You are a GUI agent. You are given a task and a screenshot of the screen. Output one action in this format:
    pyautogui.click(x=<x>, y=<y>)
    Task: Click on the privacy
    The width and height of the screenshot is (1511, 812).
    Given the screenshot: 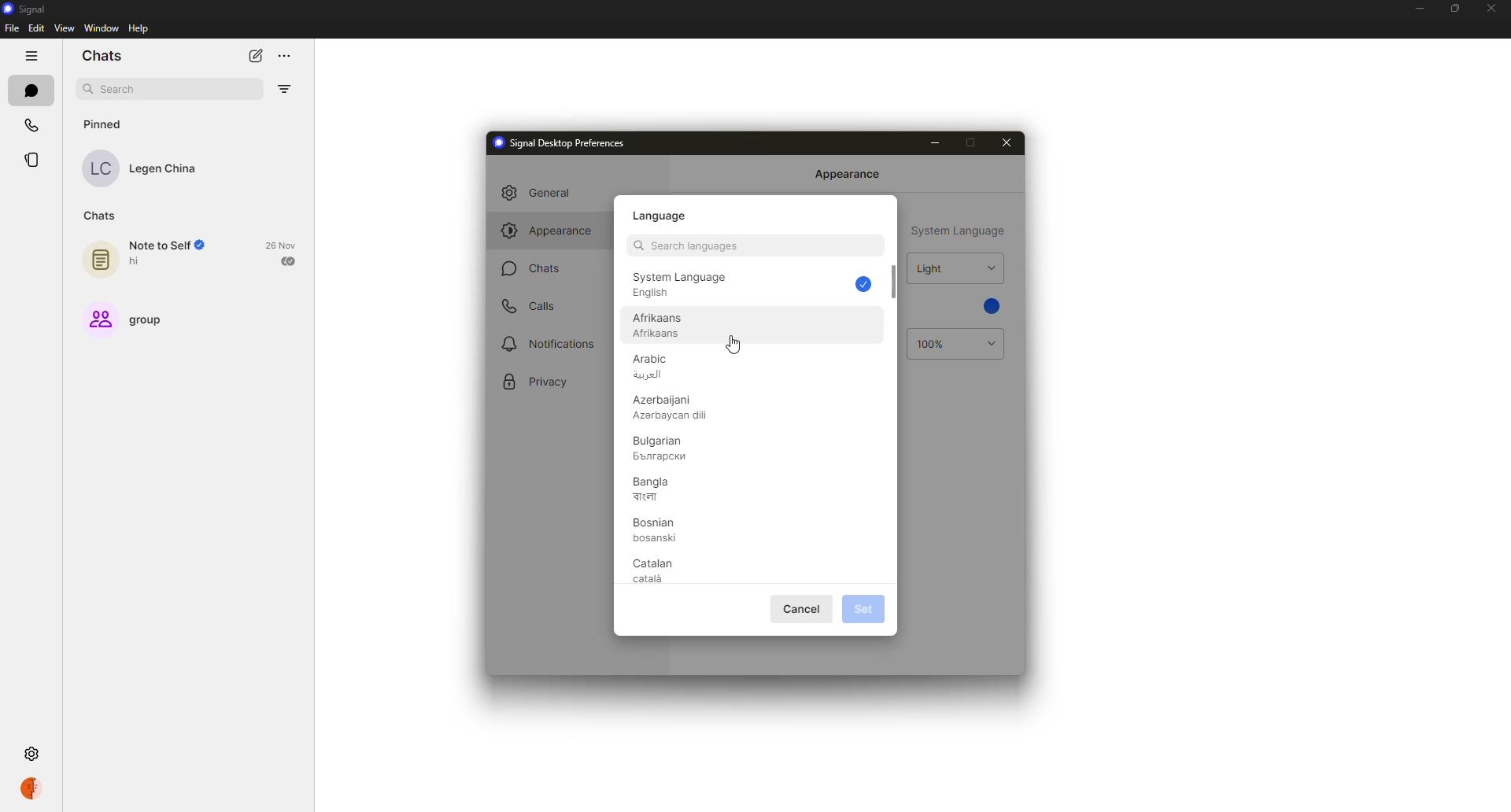 What is the action you would take?
    pyautogui.click(x=534, y=382)
    